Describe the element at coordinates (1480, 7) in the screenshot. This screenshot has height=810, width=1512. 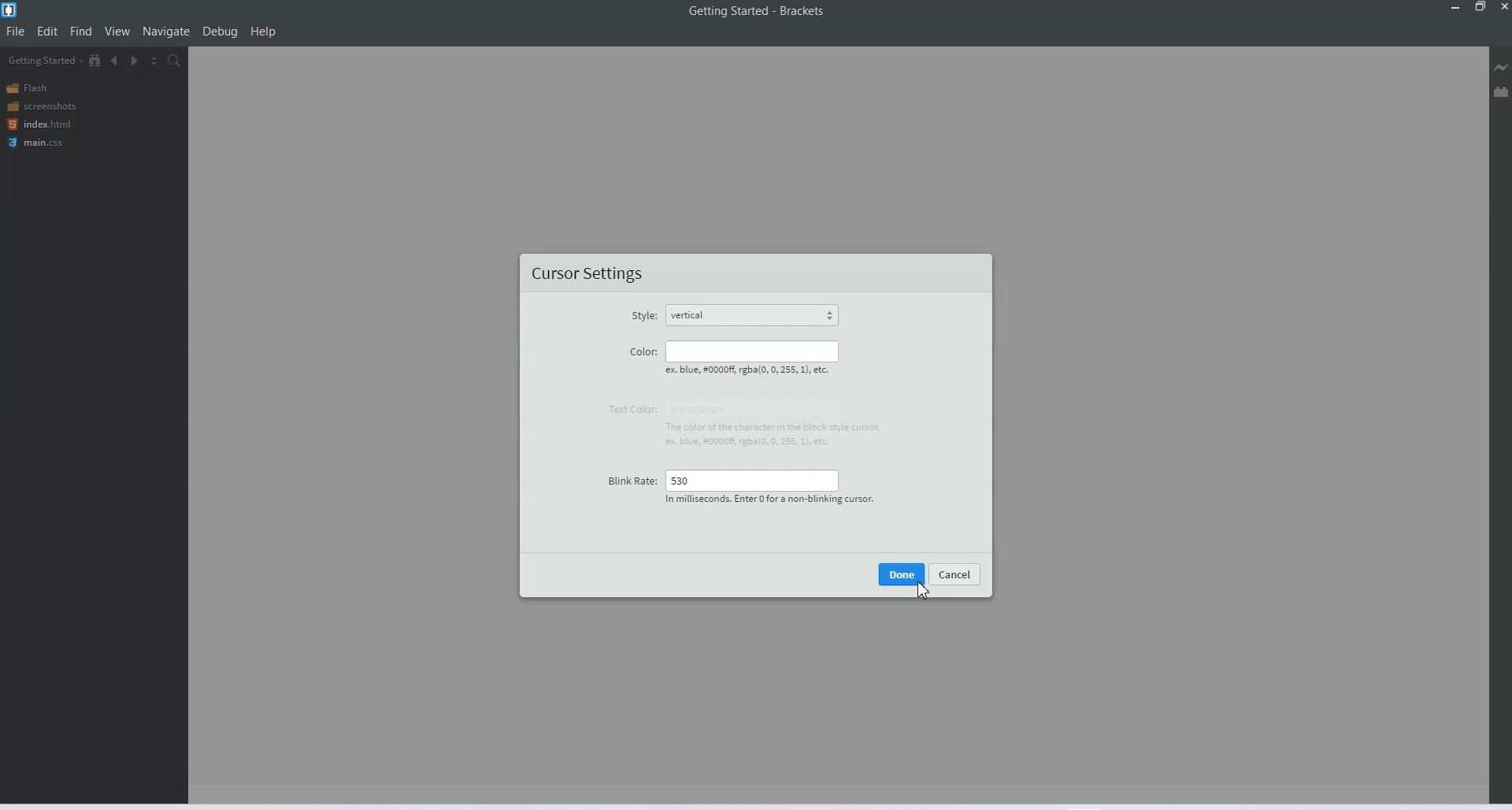
I see `Maximize` at that location.